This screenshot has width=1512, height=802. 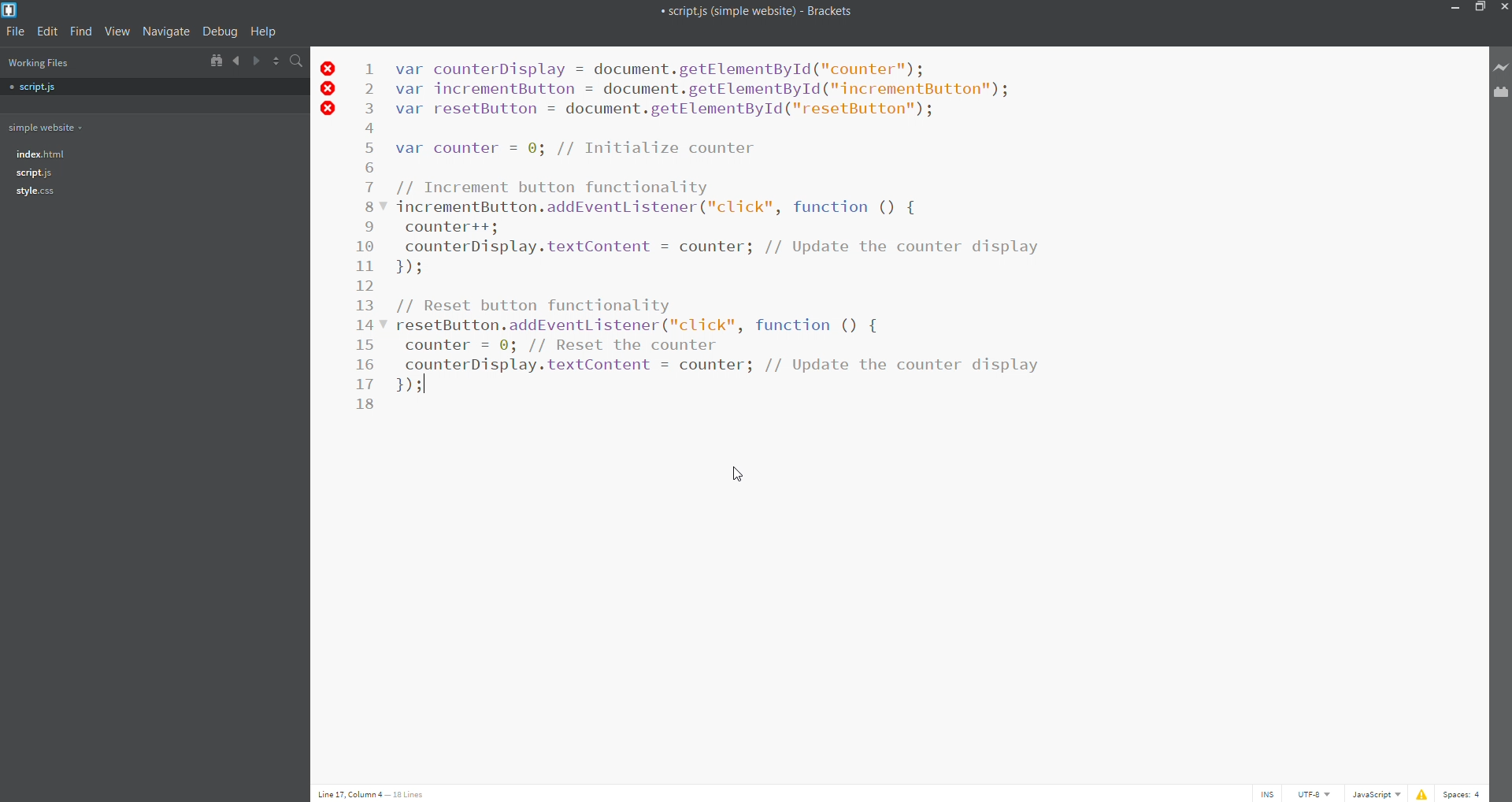 I want to click on maximize/restore, so click(x=1479, y=8).